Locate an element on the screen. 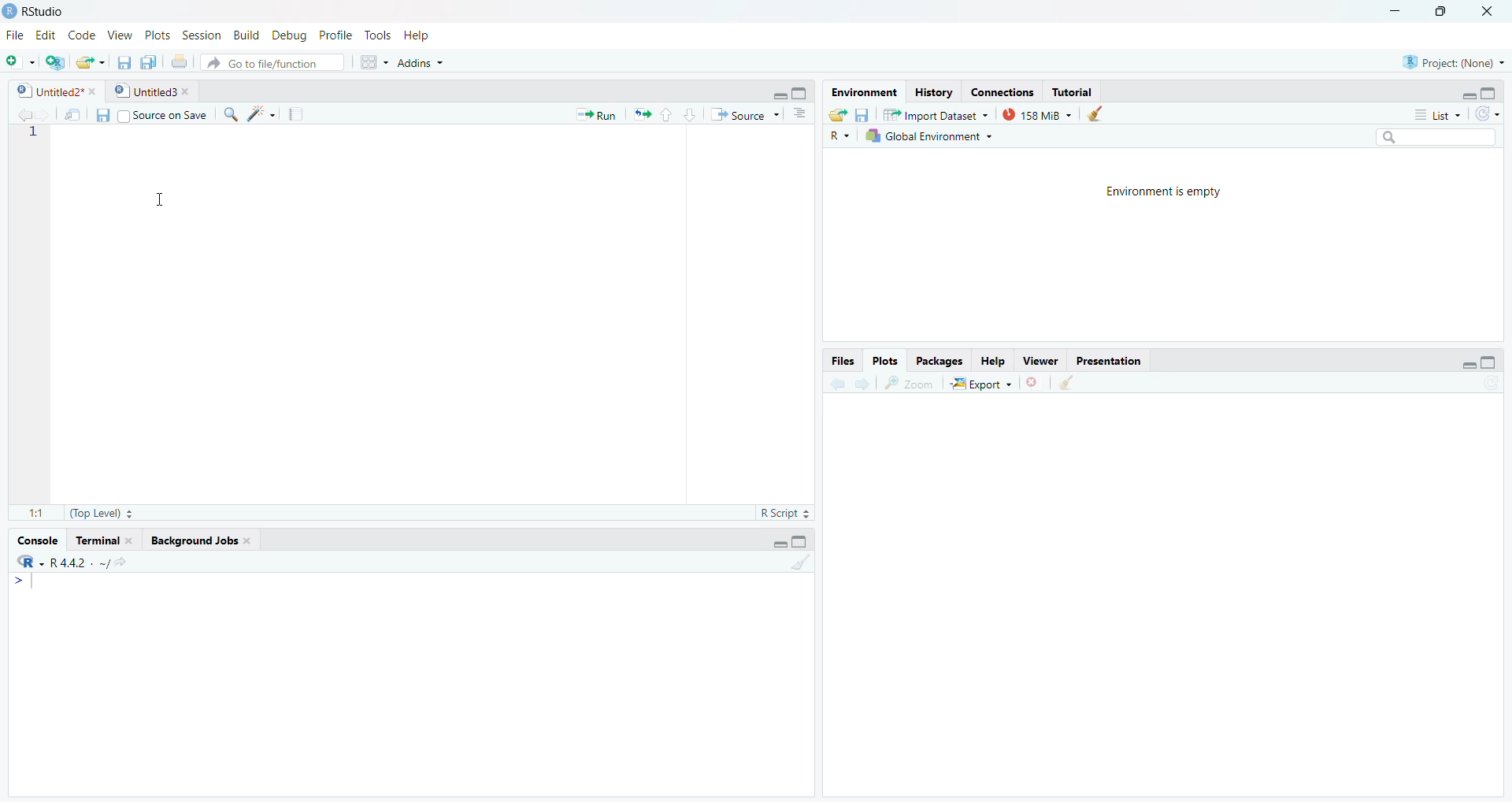 This screenshot has width=1512, height=802. Remove current viewer item is located at coordinates (1034, 387).